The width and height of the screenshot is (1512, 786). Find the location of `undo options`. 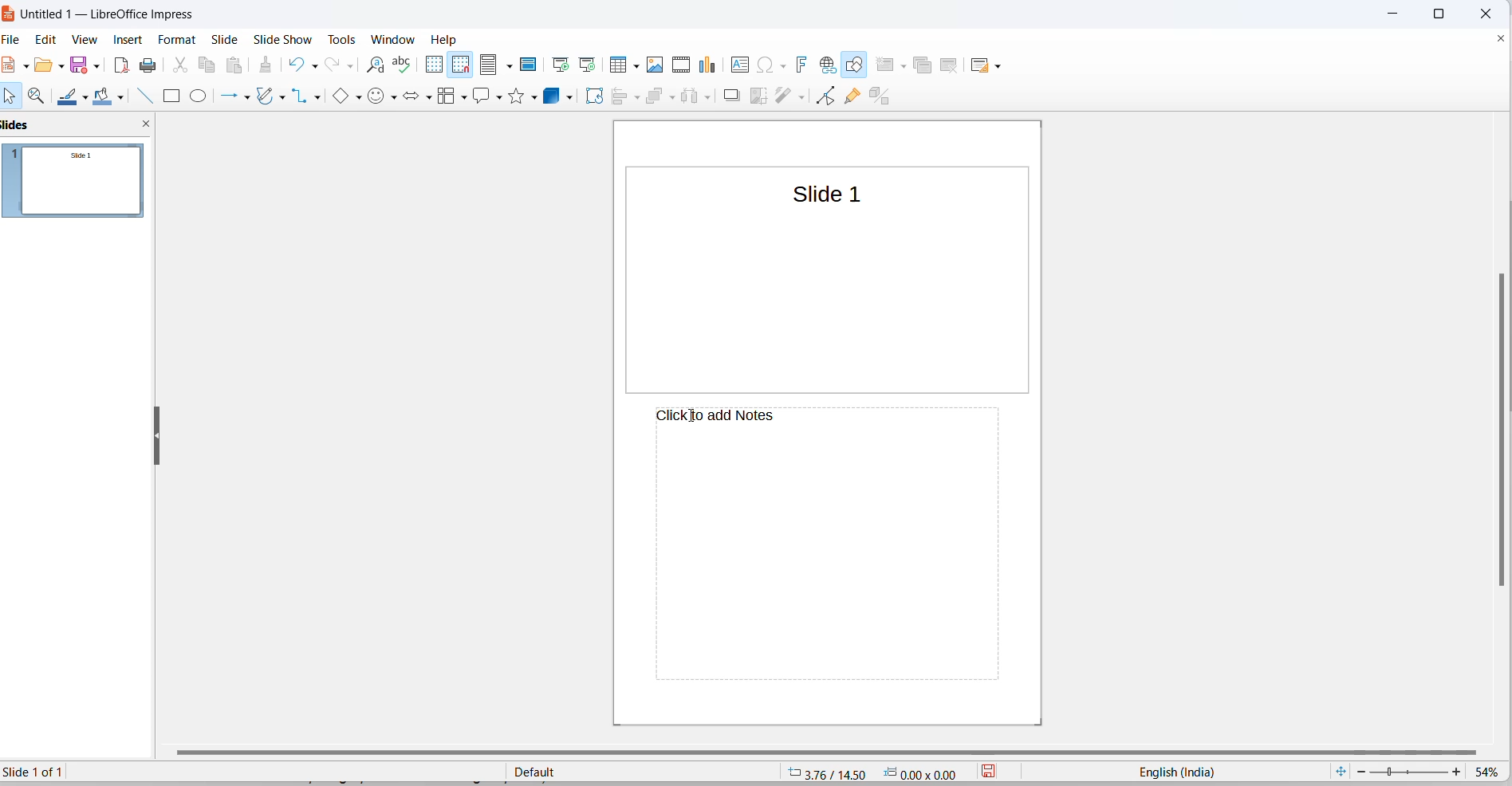

undo options is located at coordinates (314, 65).